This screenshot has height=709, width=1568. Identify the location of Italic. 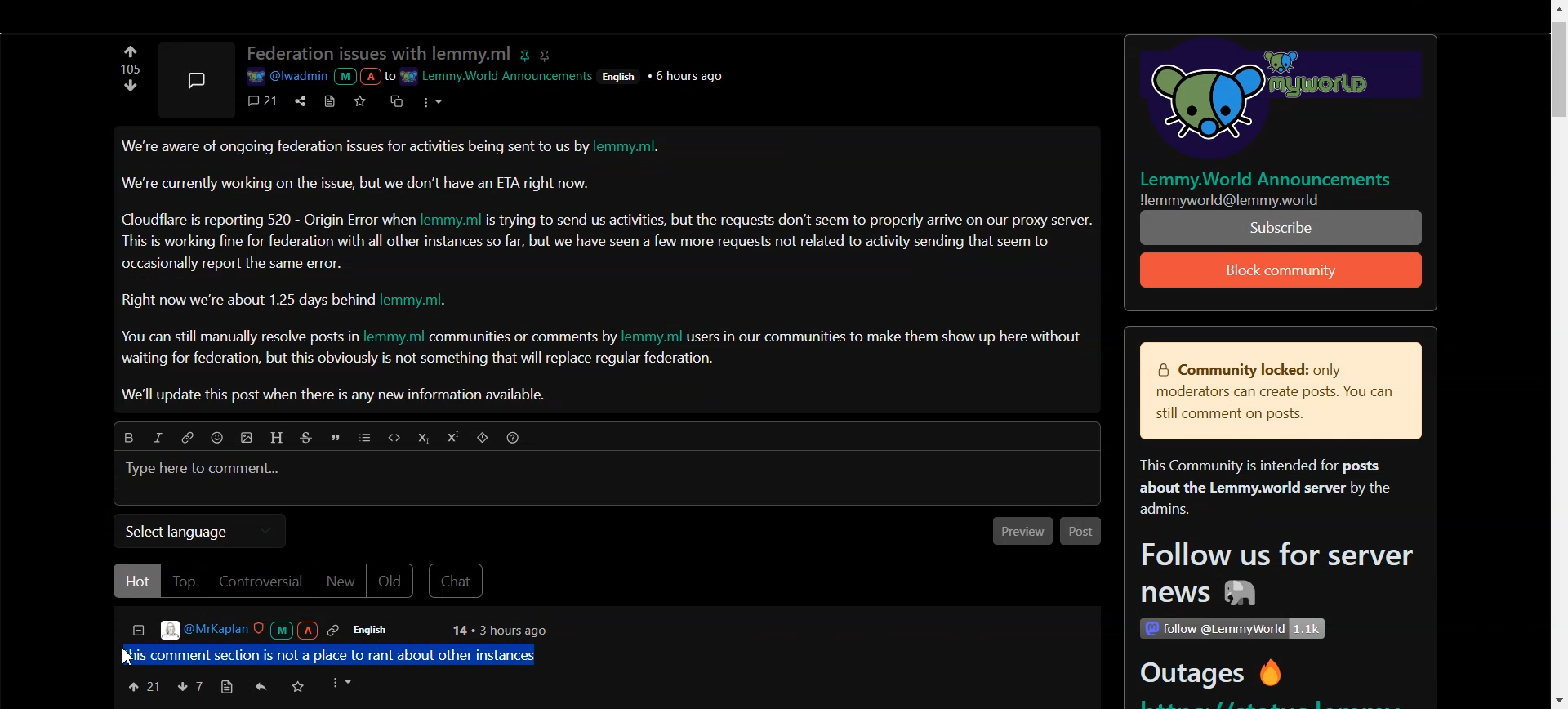
(157, 437).